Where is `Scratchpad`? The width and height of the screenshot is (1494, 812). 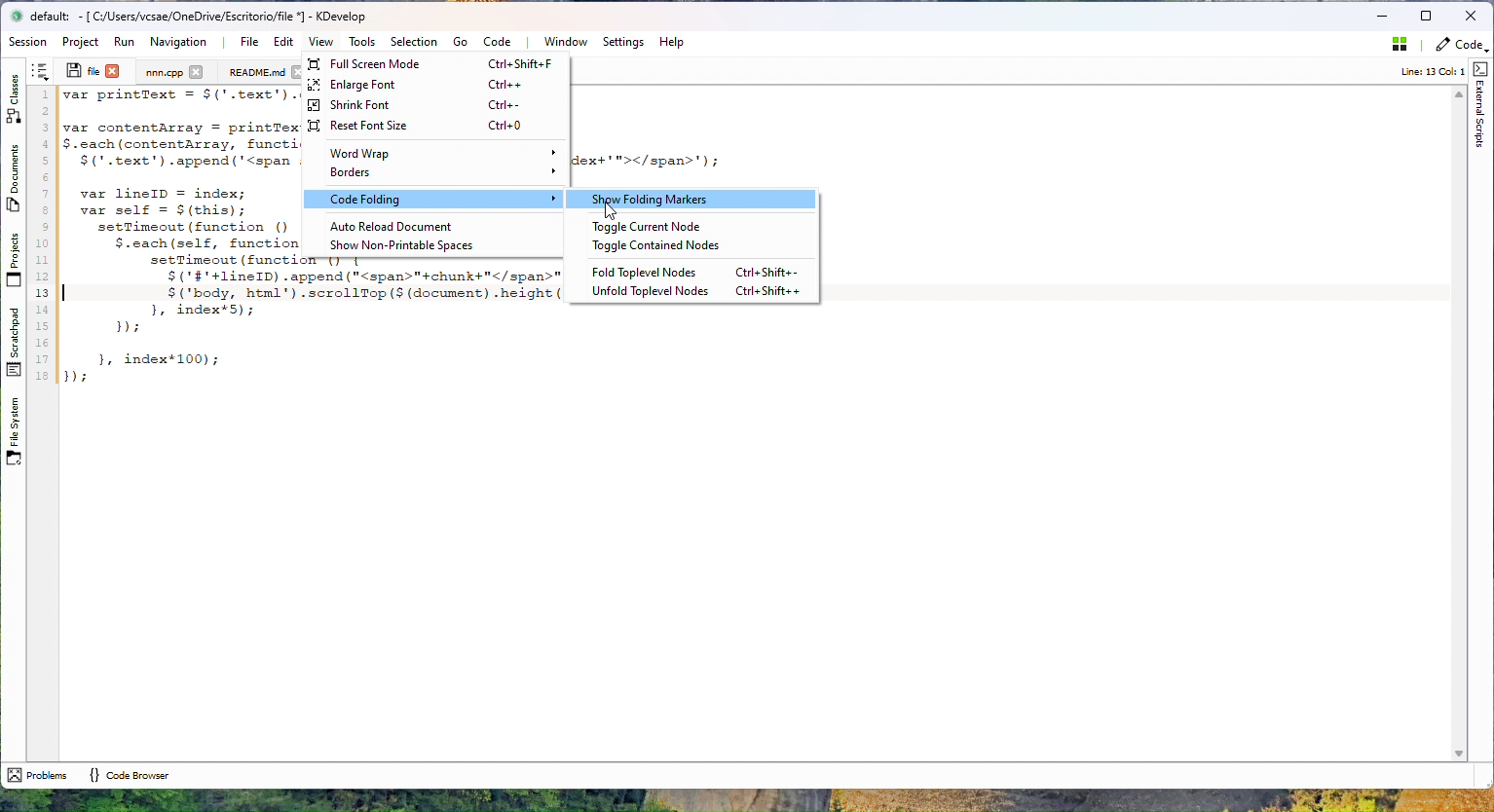 Scratchpad is located at coordinates (13, 342).